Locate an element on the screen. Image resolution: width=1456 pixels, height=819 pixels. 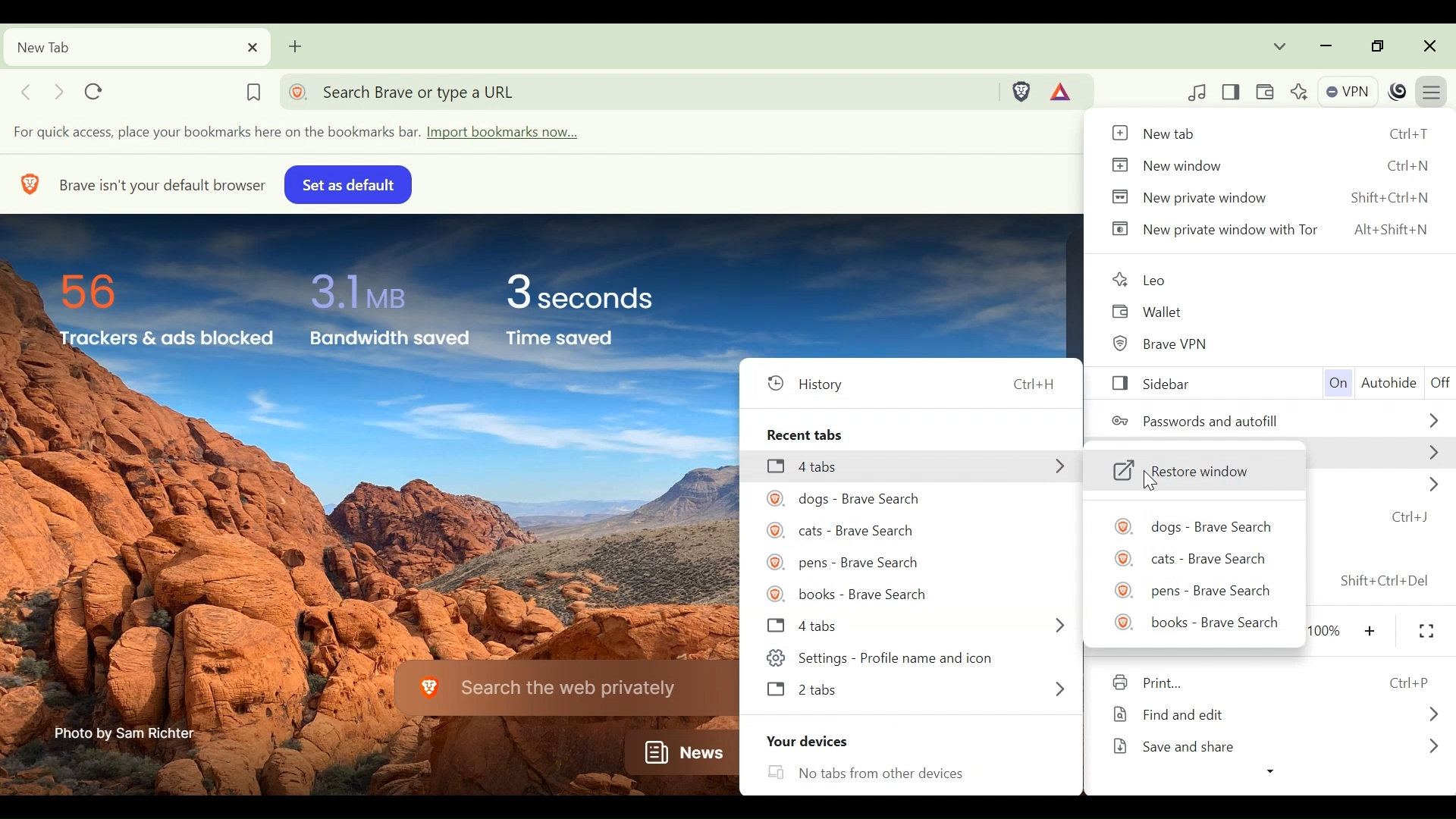
Restore window is located at coordinates (1187, 471).